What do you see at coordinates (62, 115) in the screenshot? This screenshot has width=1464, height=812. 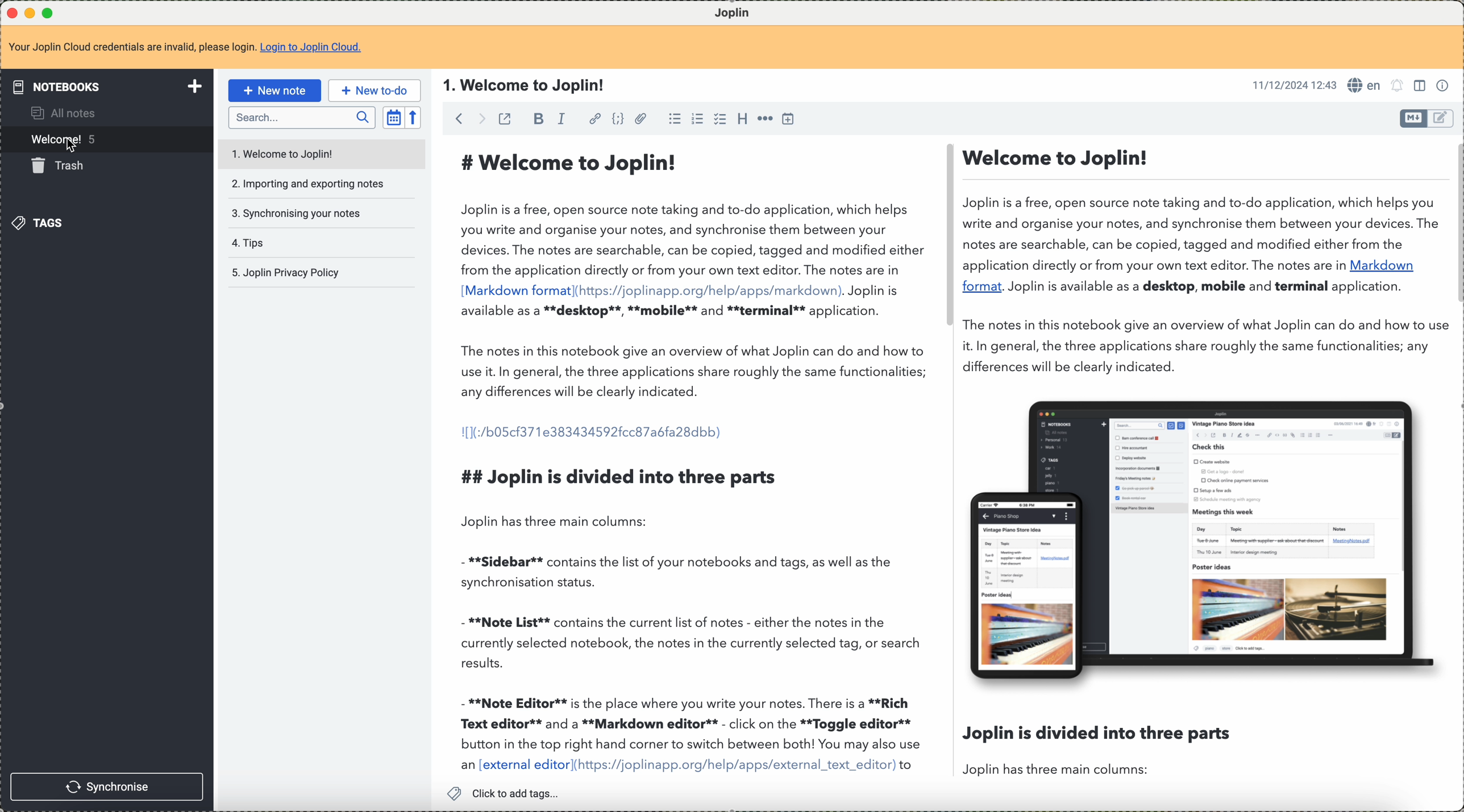 I see `all notes` at bounding box center [62, 115].